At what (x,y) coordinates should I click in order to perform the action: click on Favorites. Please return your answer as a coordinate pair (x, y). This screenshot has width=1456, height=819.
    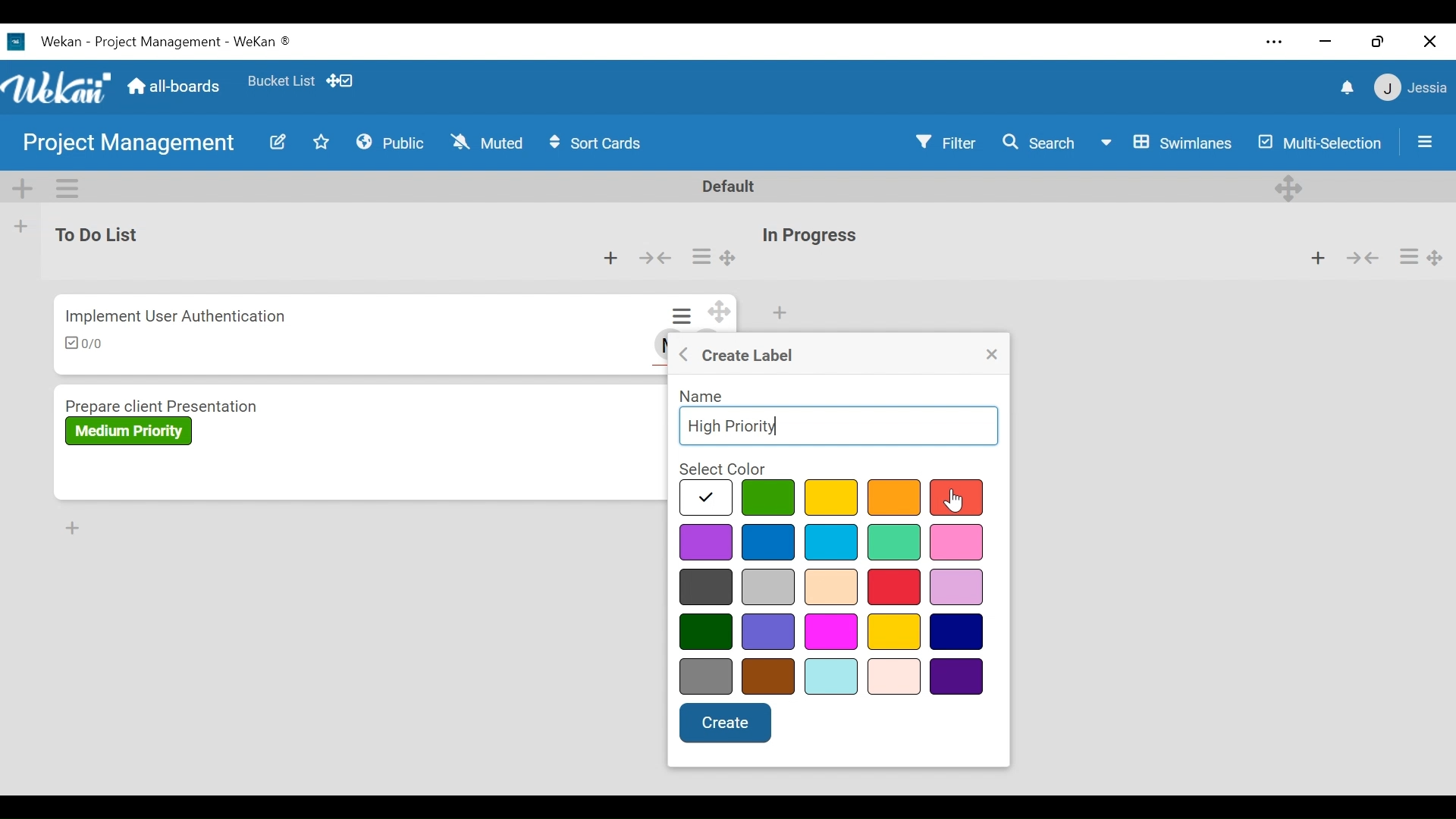
    Looking at the image, I should click on (322, 141).